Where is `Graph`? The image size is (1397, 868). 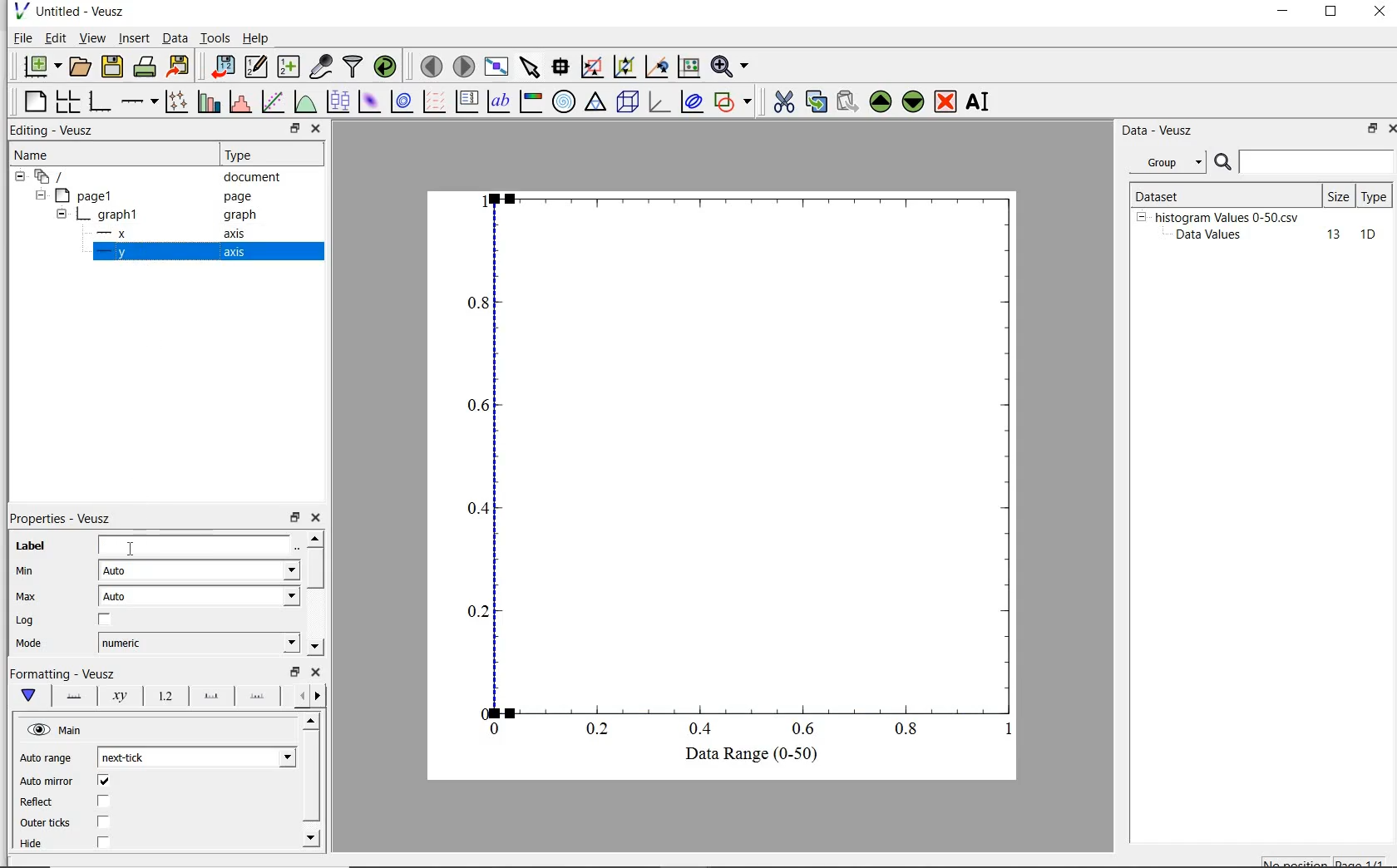 Graph is located at coordinates (722, 486).